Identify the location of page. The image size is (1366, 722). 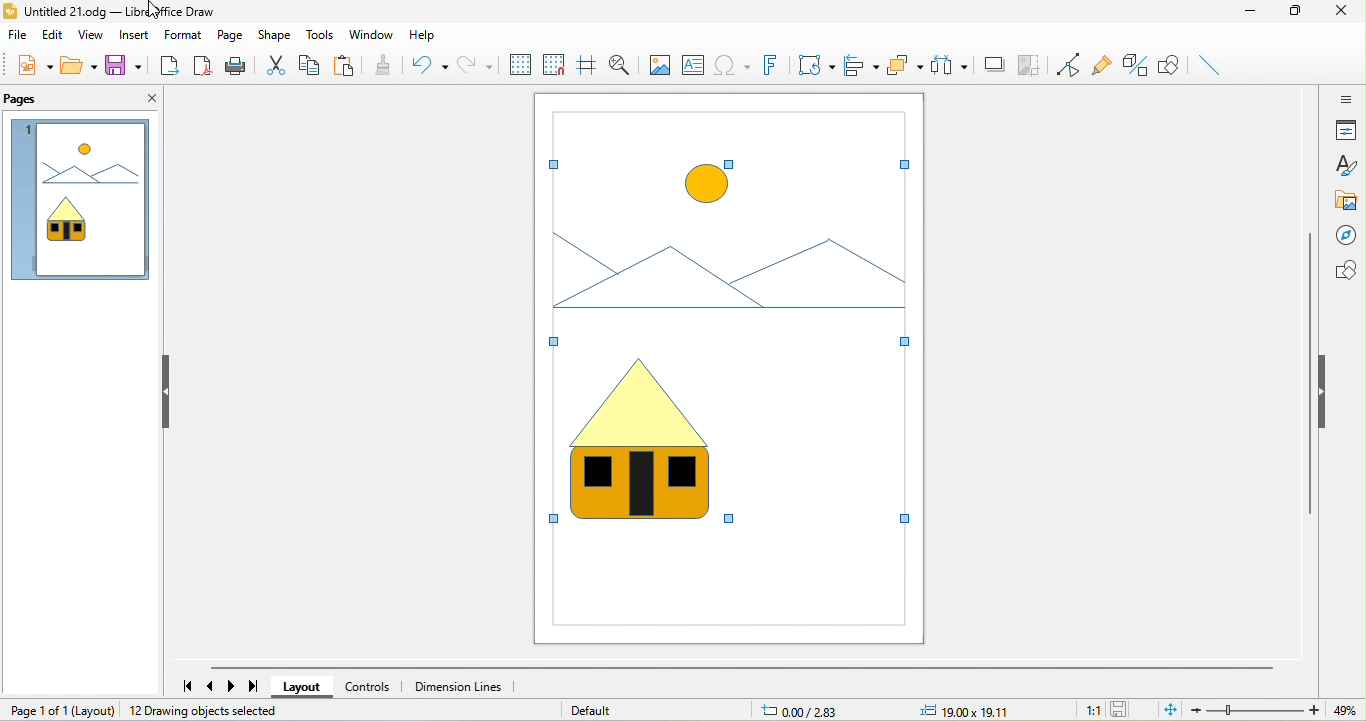
(231, 35).